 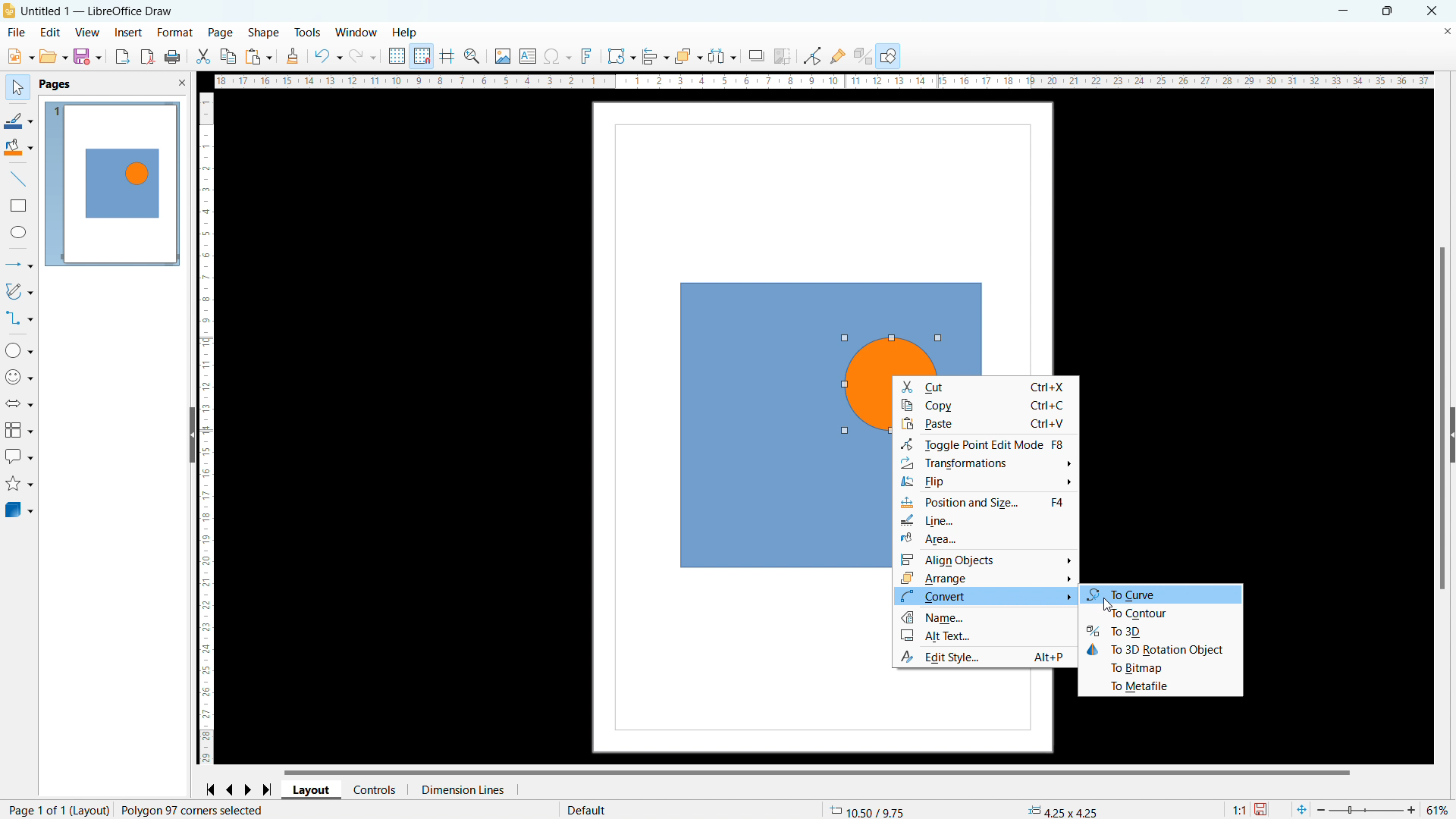 What do you see at coordinates (984, 577) in the screenshot?
I see `arrange` at bounding box center [984, 577].